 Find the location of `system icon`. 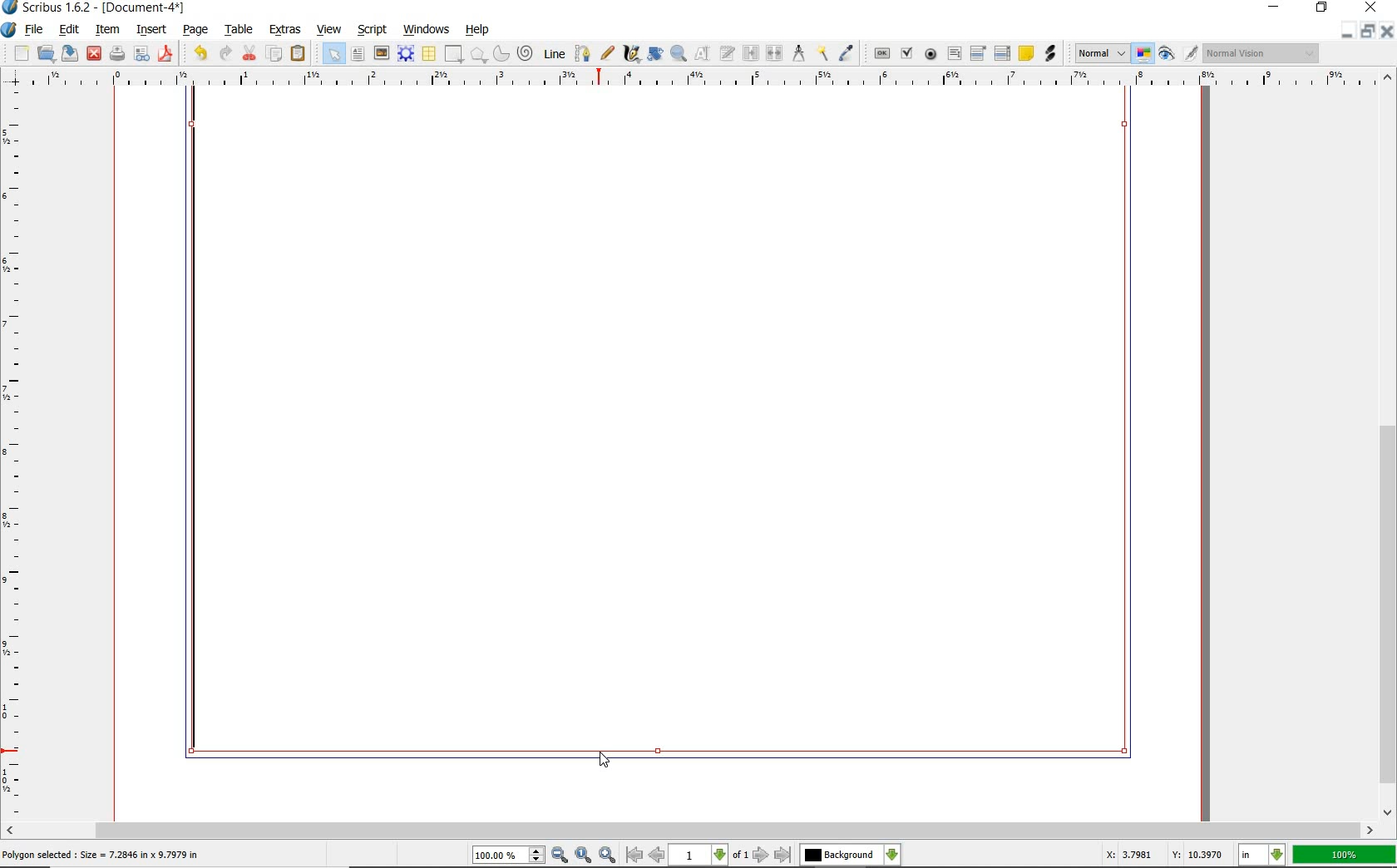

system icon is located at coordinates (9, 29).